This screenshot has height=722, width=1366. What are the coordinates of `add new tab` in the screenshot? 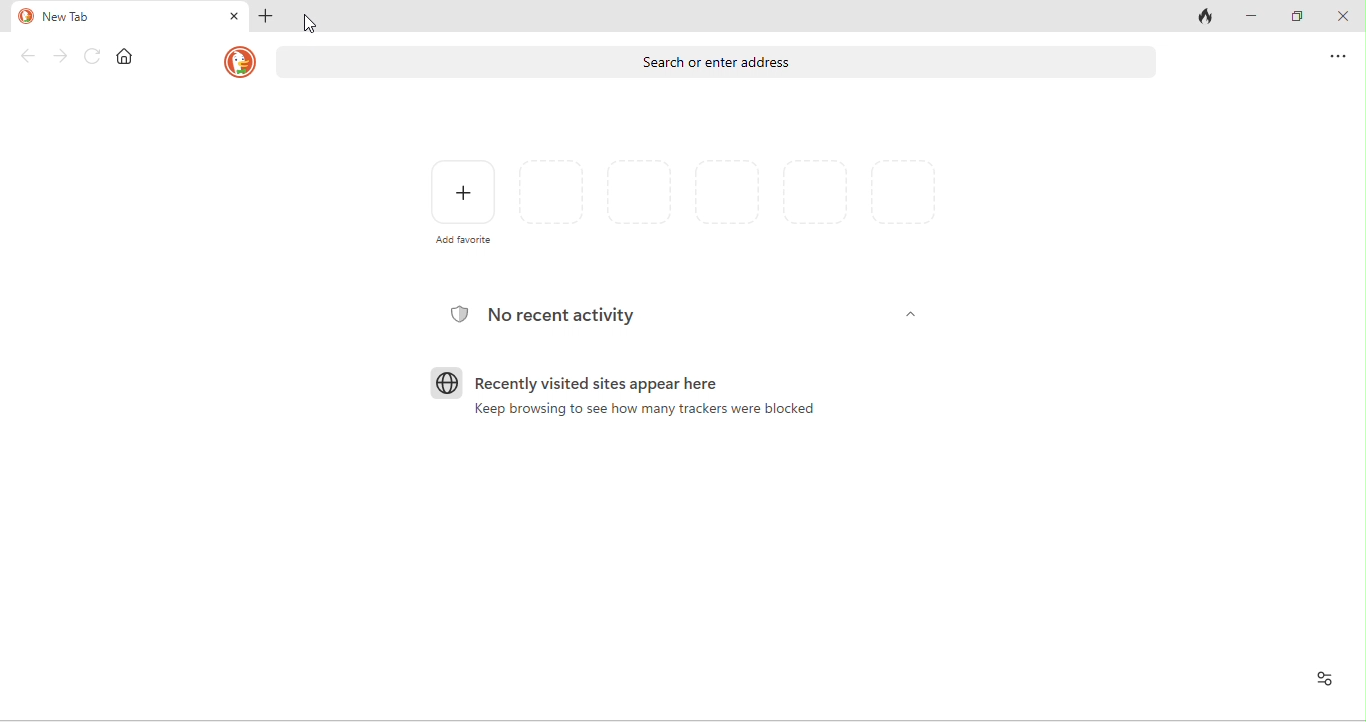 It's located at (266, 17).